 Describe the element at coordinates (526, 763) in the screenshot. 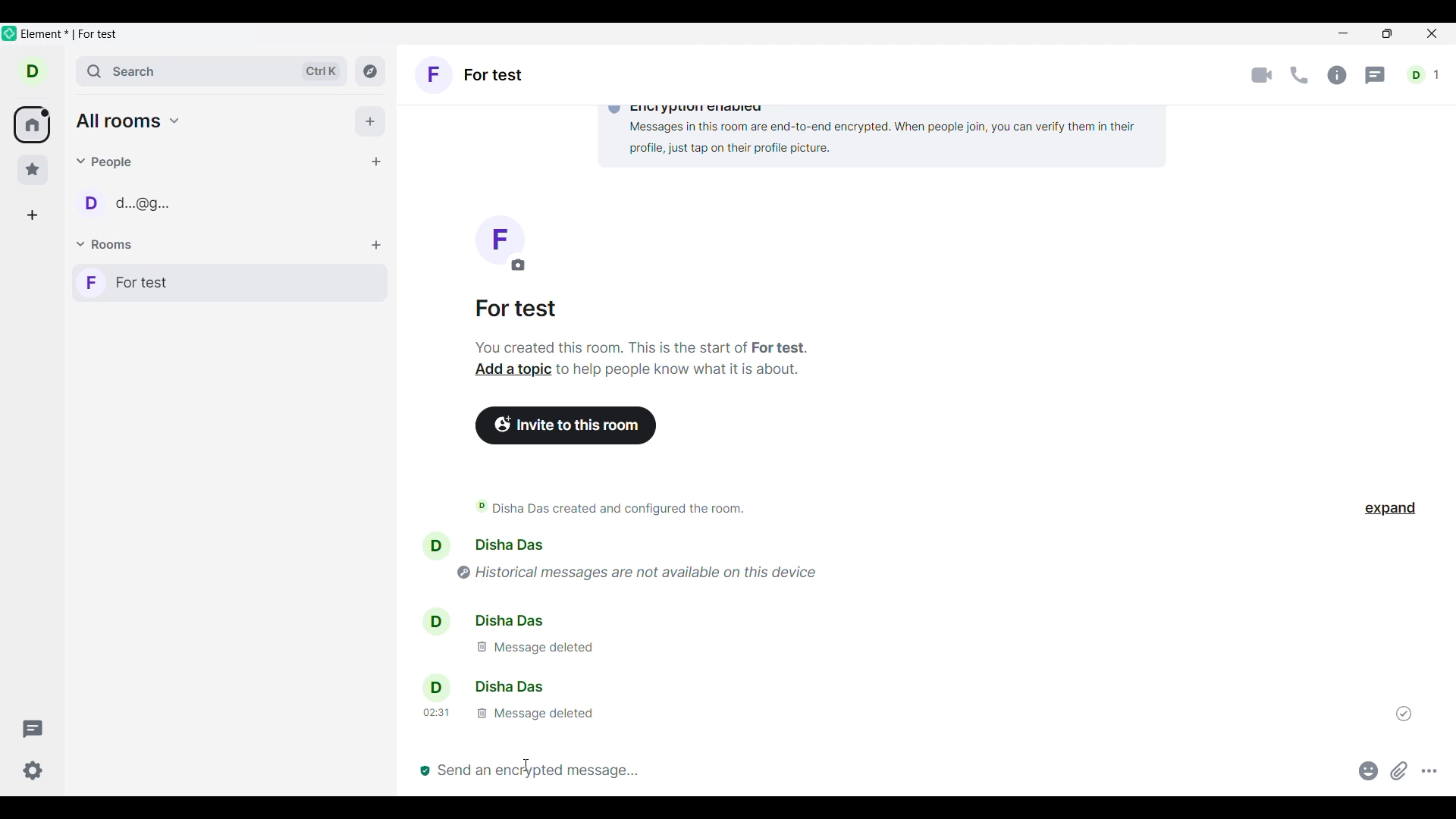

I see `cursor` at that location.